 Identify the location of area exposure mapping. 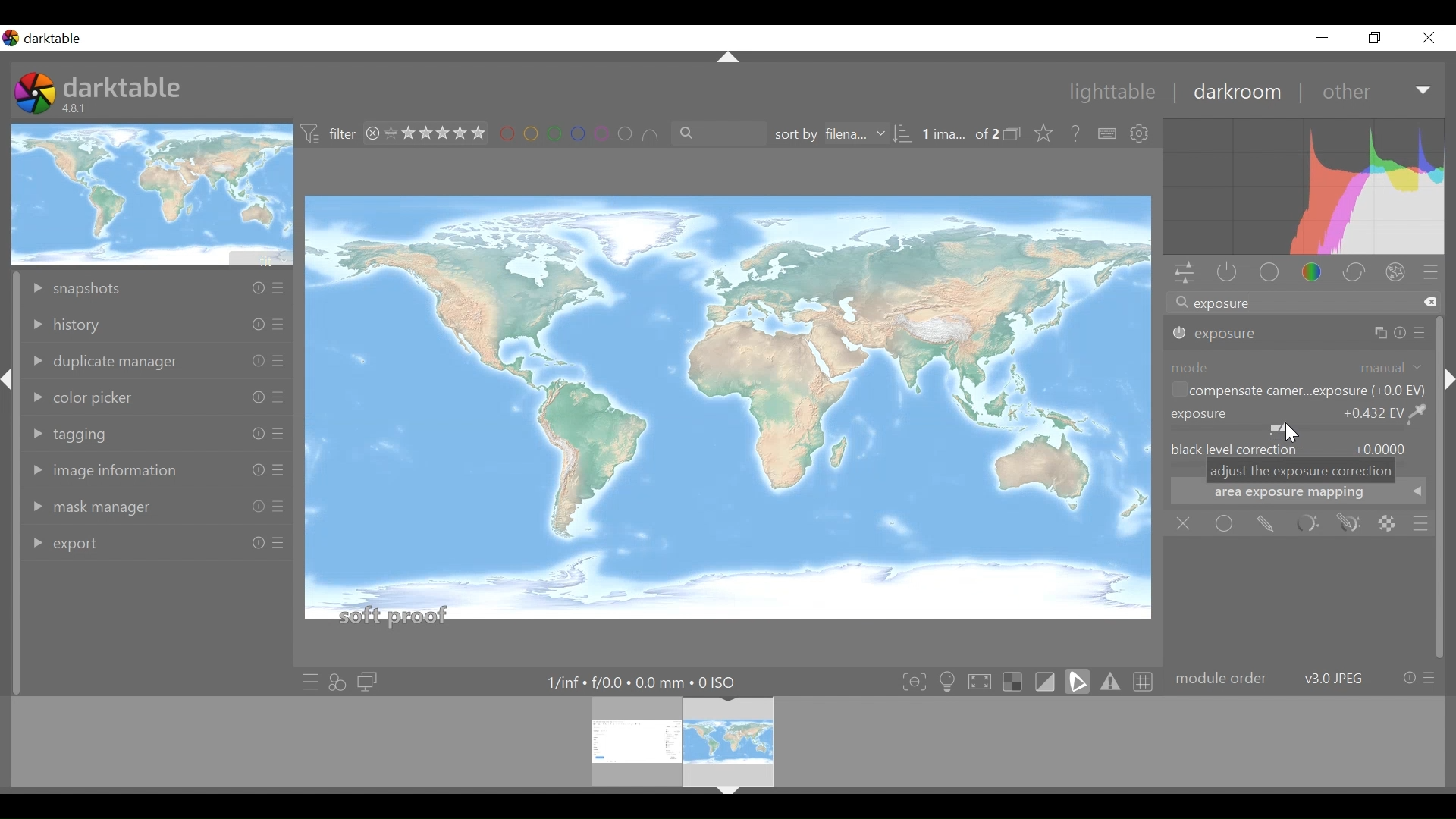
(1299, 497).